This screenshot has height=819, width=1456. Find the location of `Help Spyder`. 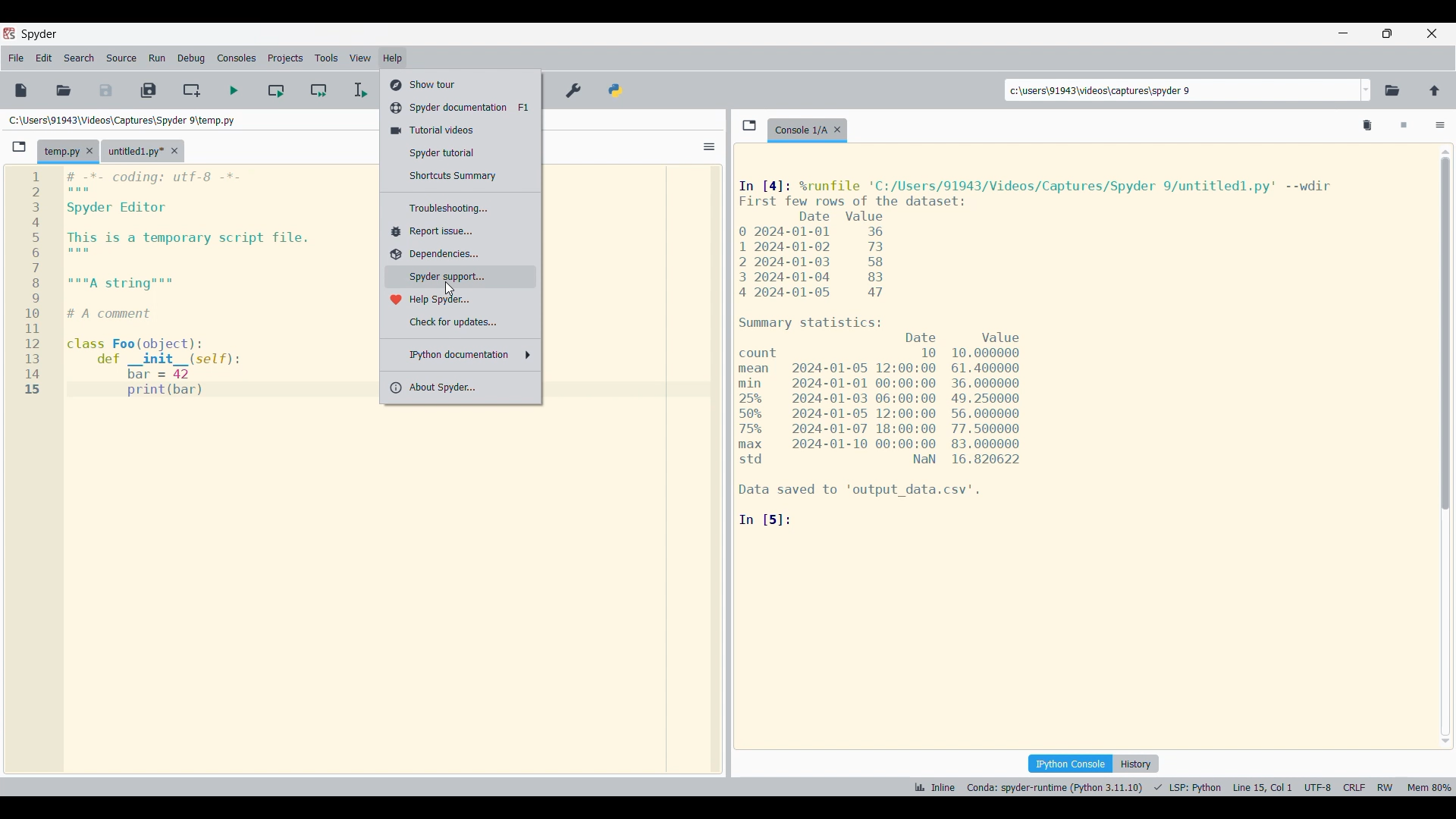

Help Spyder is located at coordinates (461, 300).